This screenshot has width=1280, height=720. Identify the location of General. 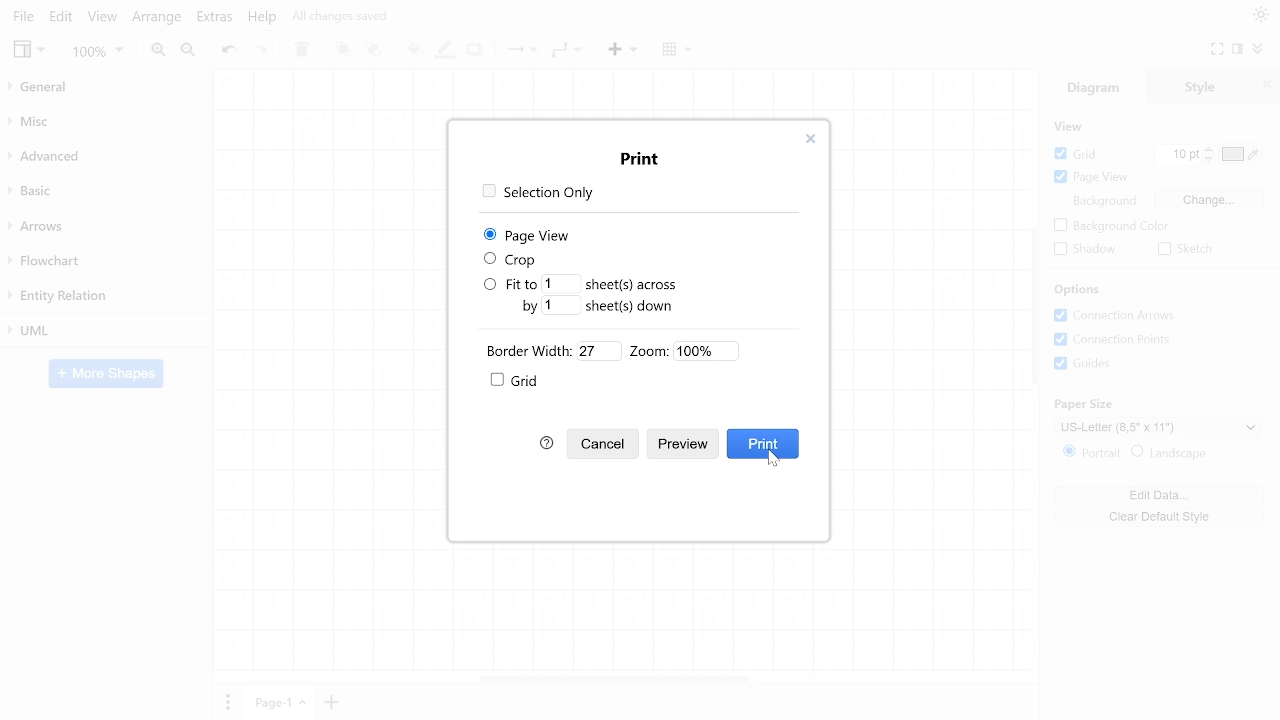
(104, 89).